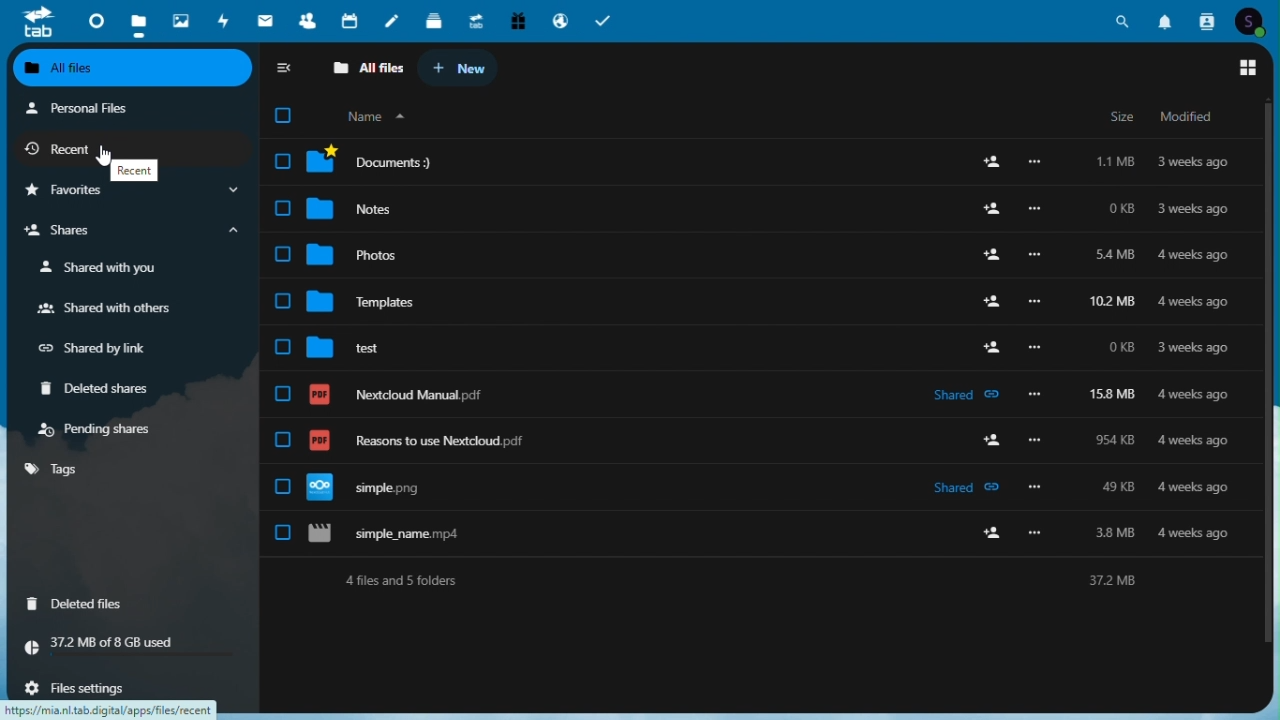 This screenshot has height=720, width=1280. What do you see at coordinates (90, 347) in the screenshot?
I see `Shared by link` at bounding box center [90, 347].